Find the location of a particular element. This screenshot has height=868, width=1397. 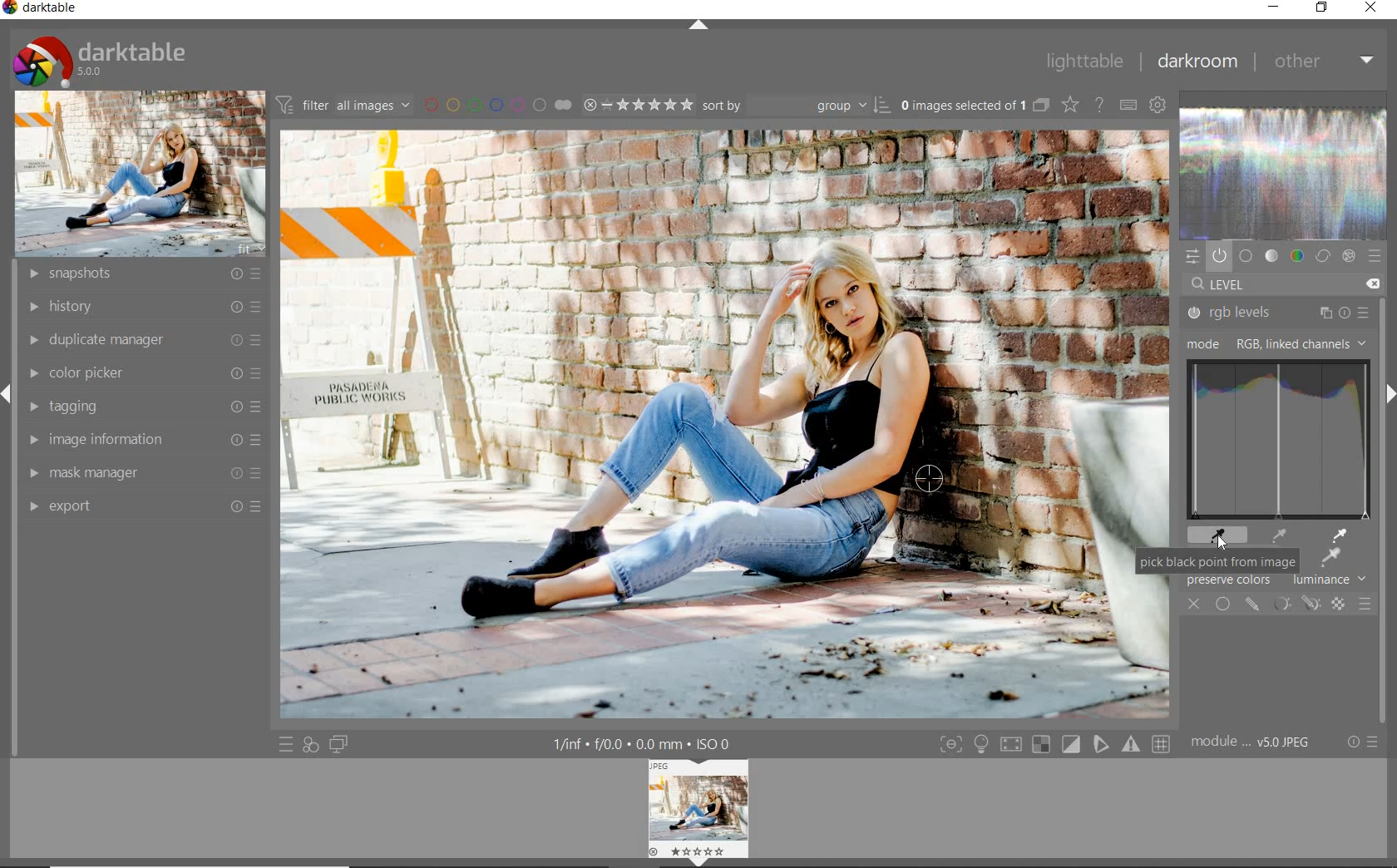

color picker is located at coordinates (141, 374).